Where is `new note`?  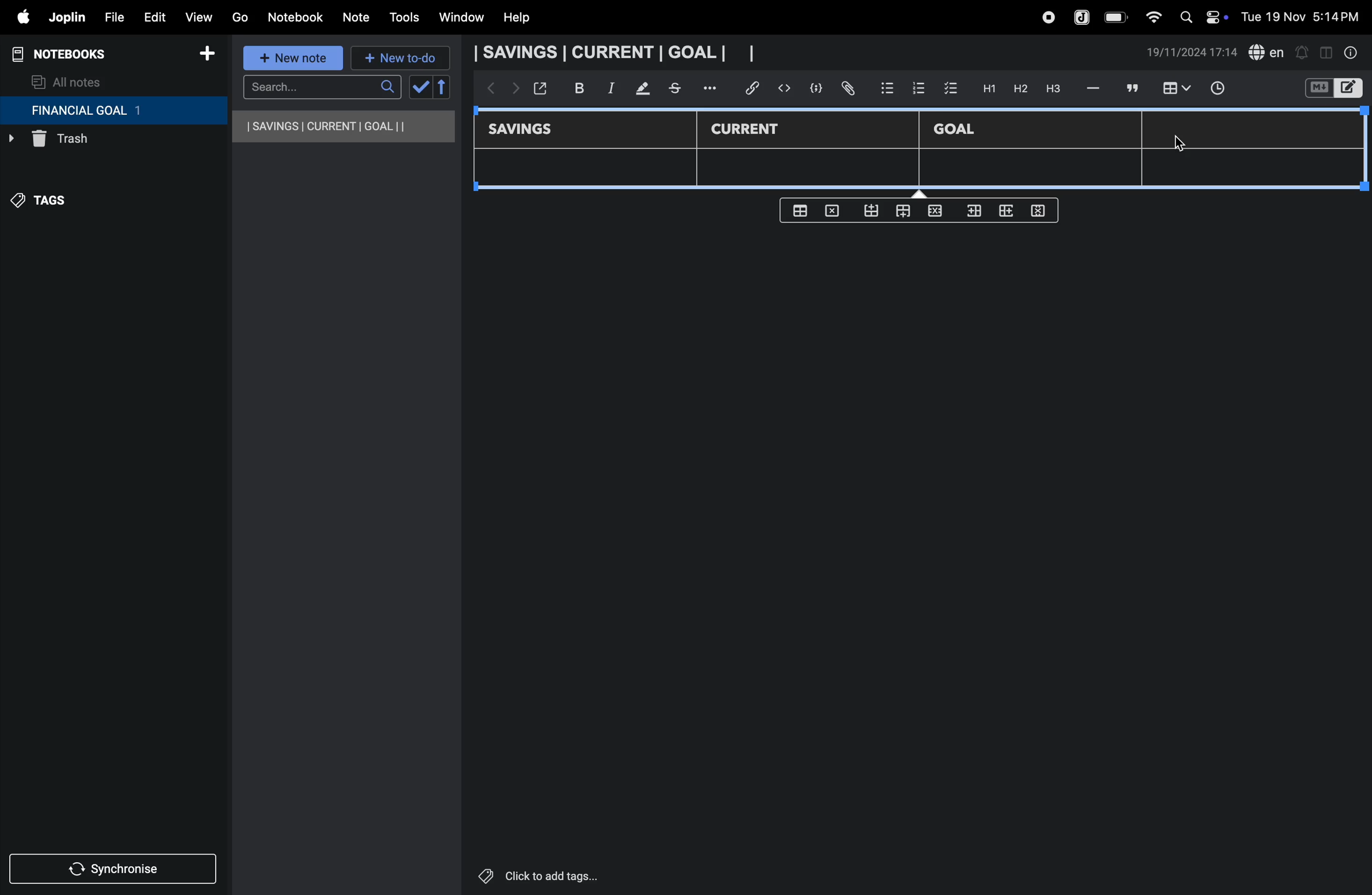
new note is located at coordinates (295, 59).